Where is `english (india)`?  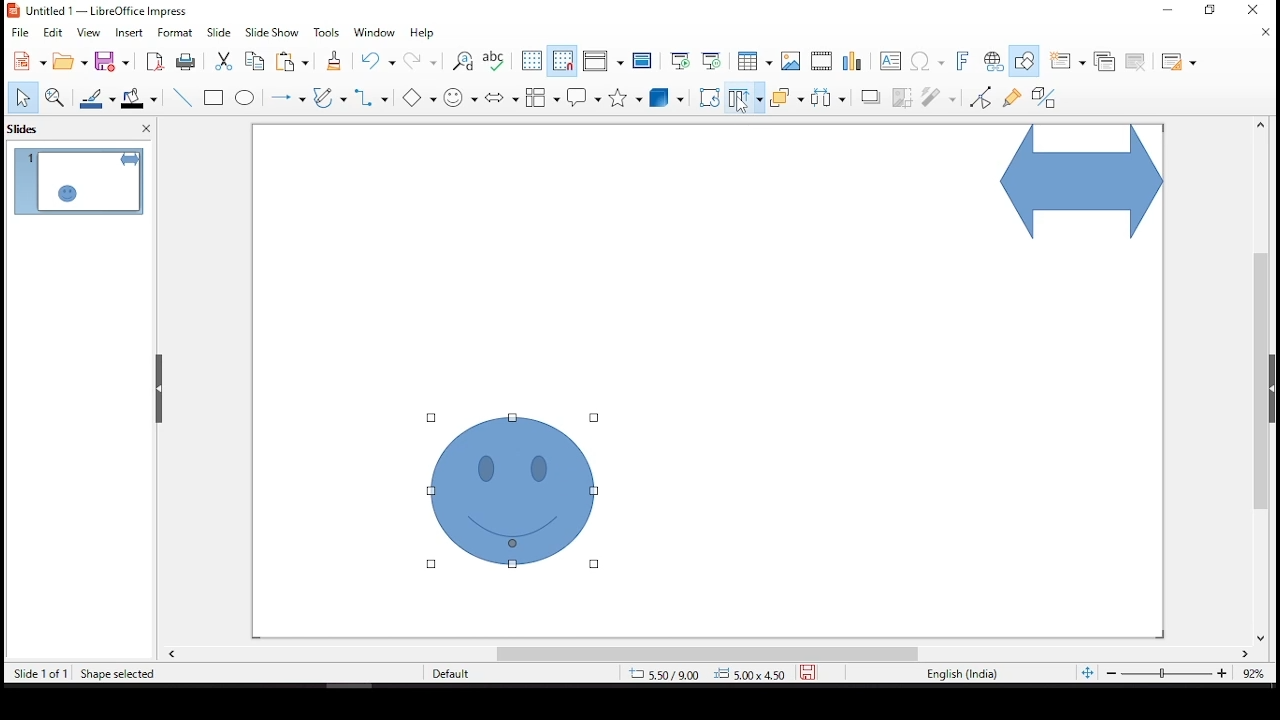 english (india) is located at coordinates (962, 675).